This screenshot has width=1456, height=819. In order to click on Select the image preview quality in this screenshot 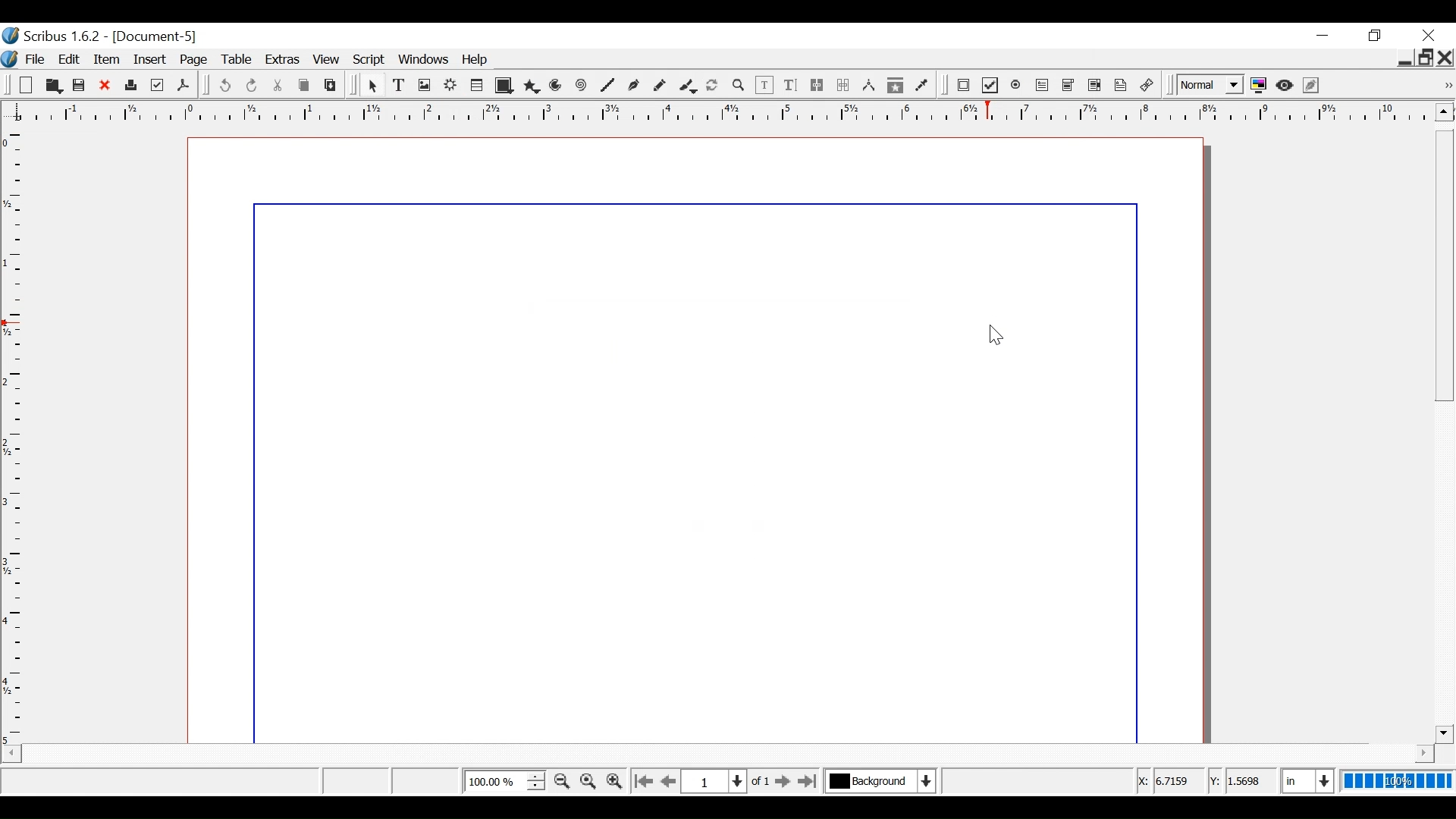, I will do `click(1208, 86)`.